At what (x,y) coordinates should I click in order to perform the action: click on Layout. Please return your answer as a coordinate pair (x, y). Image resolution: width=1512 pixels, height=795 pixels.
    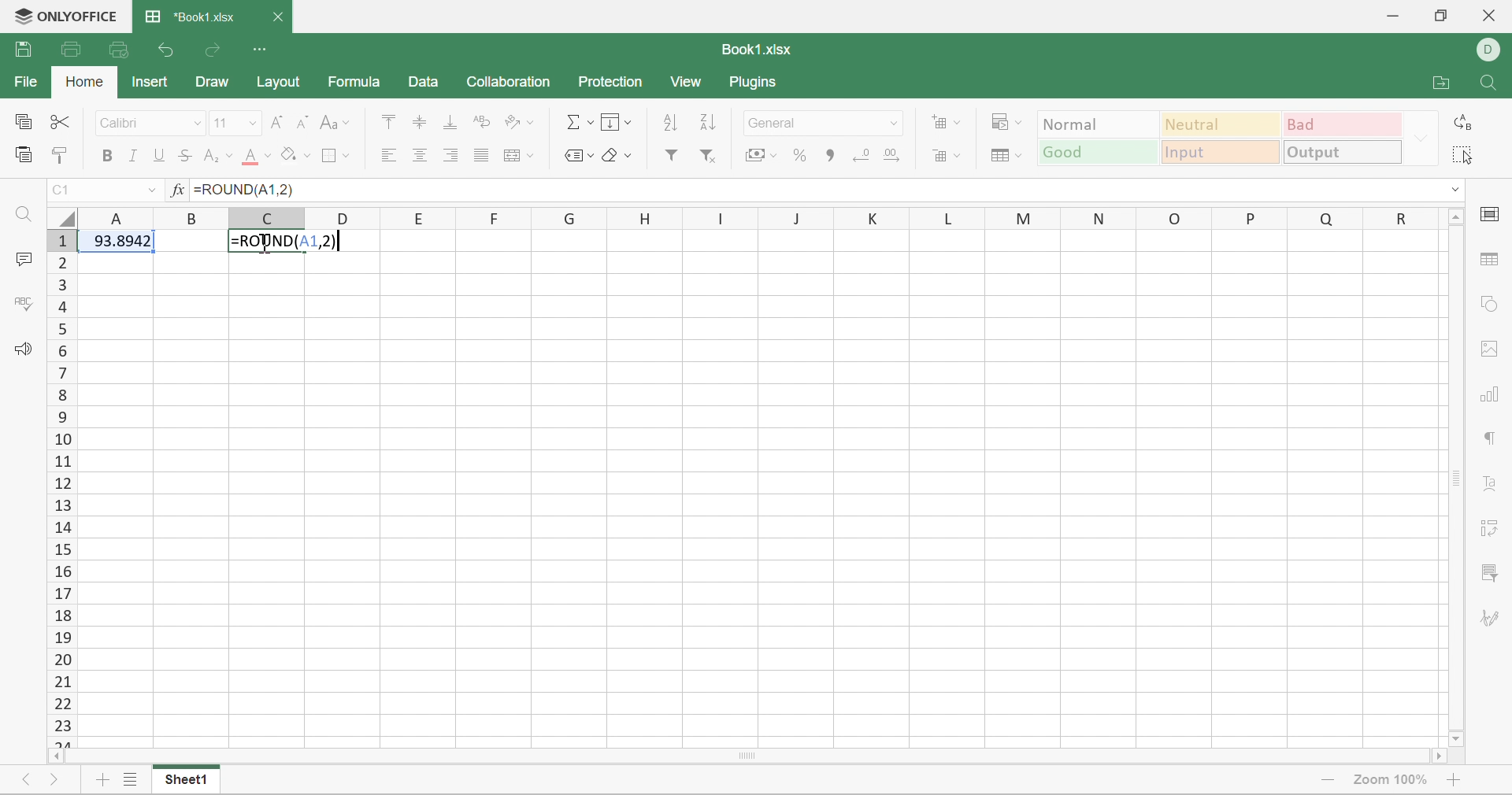
    Looking at the image, I should click on (282, 86).